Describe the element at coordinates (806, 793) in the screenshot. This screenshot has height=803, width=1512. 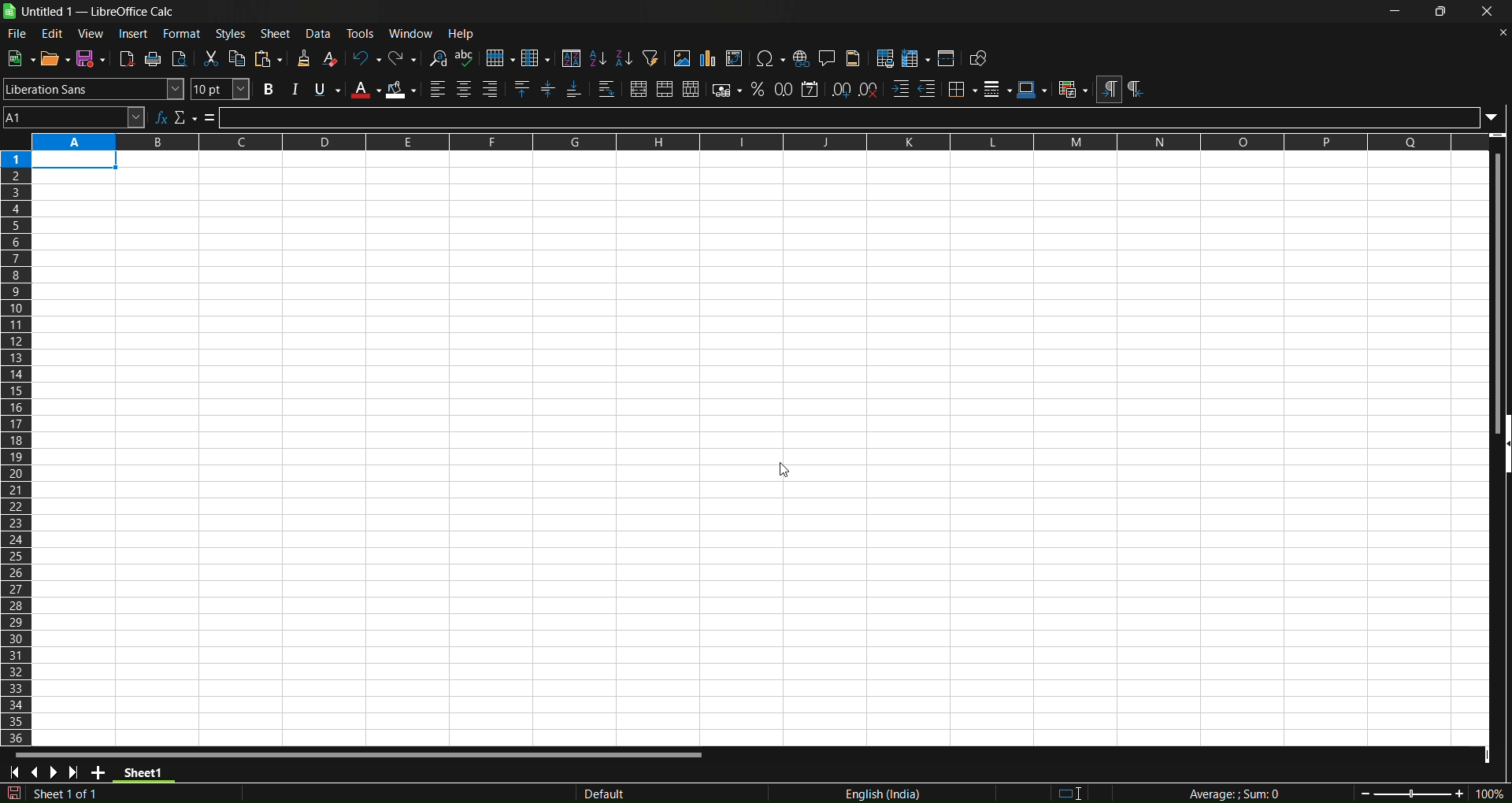
I see `text language` at that location.